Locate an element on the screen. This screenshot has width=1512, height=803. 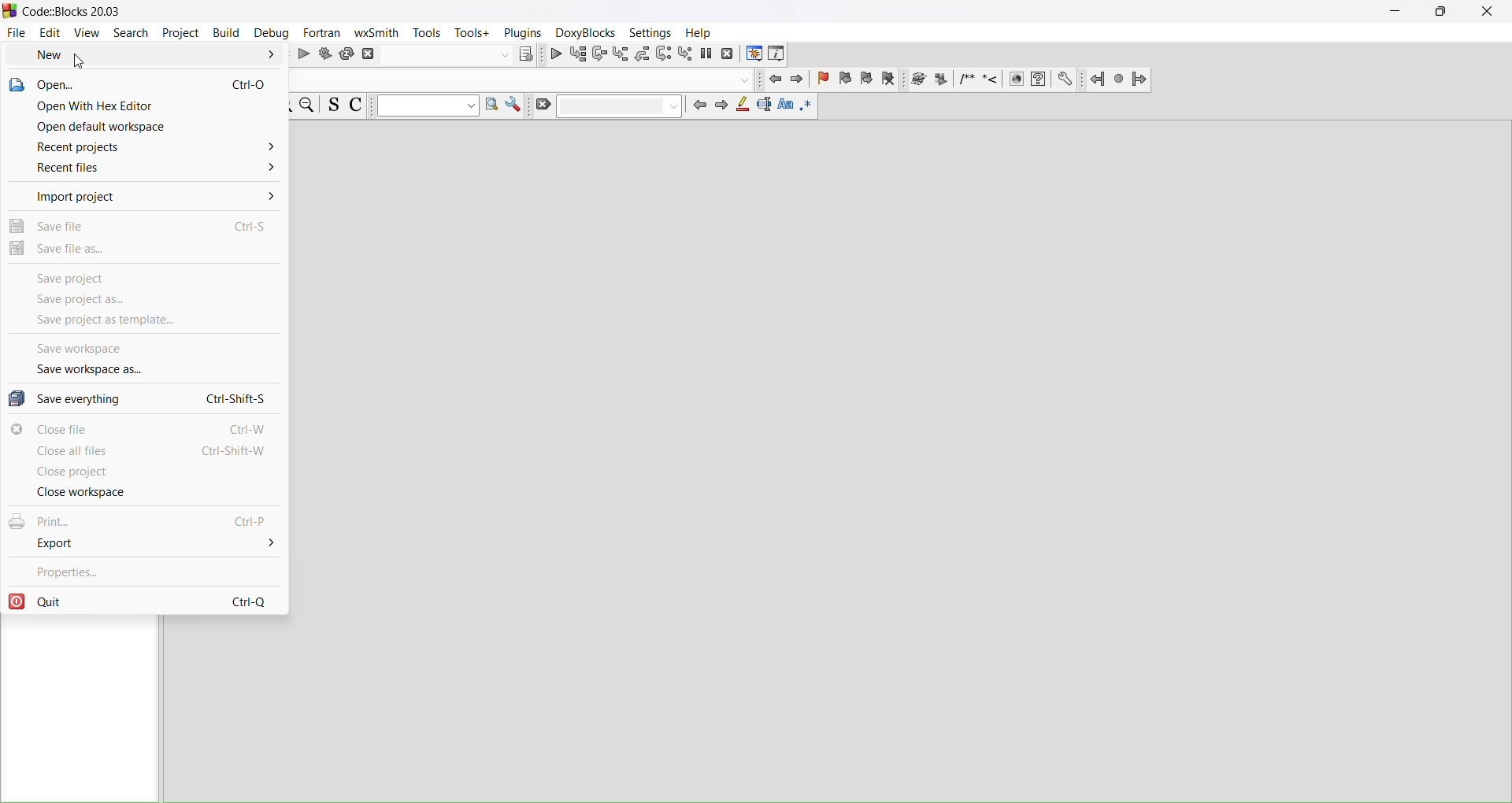
Jump forward is located at coordinates (1142, 80).